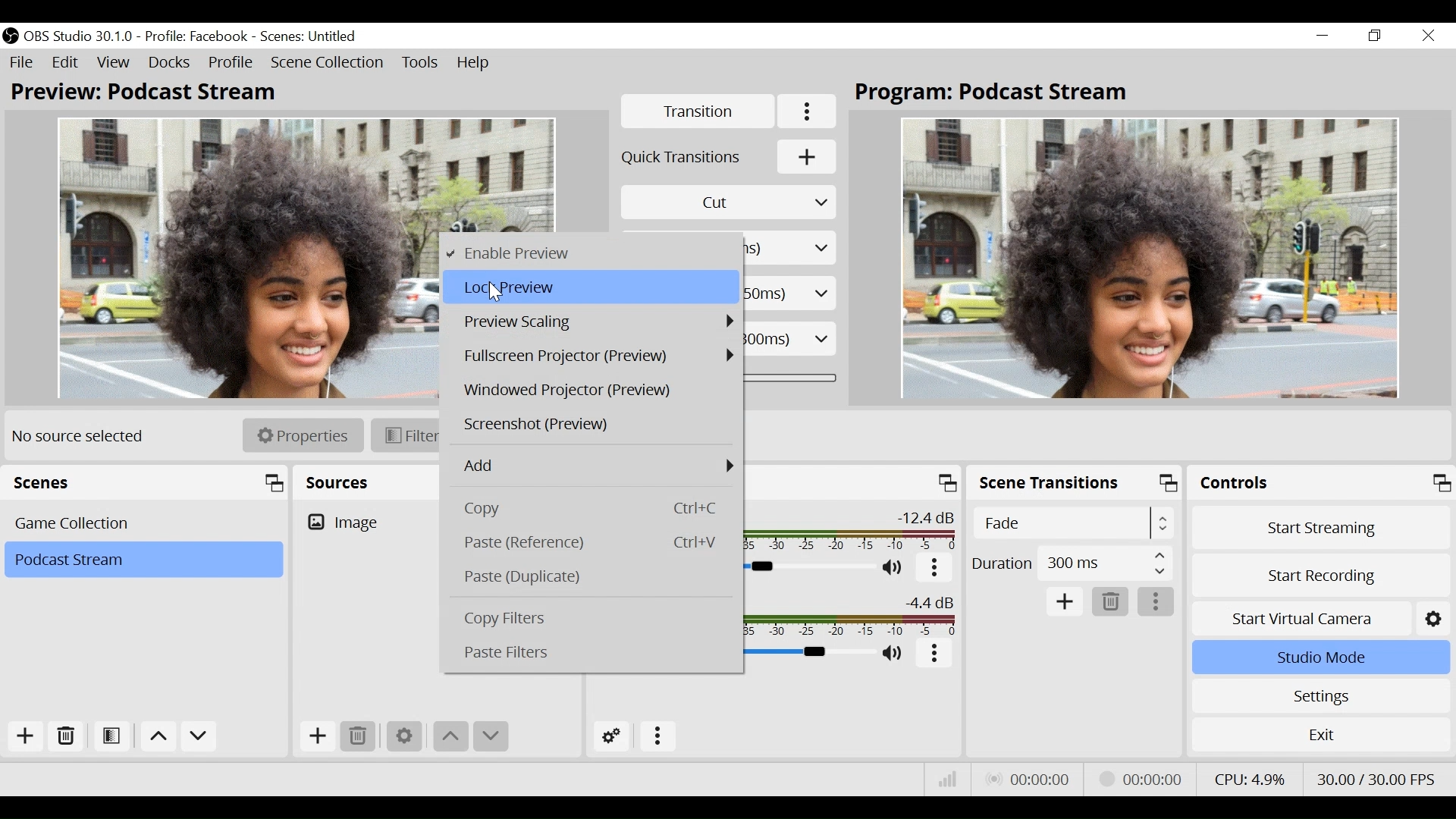  Describe the element at coordinates (934, 568) in the screenshot. I see `more options` at that location.